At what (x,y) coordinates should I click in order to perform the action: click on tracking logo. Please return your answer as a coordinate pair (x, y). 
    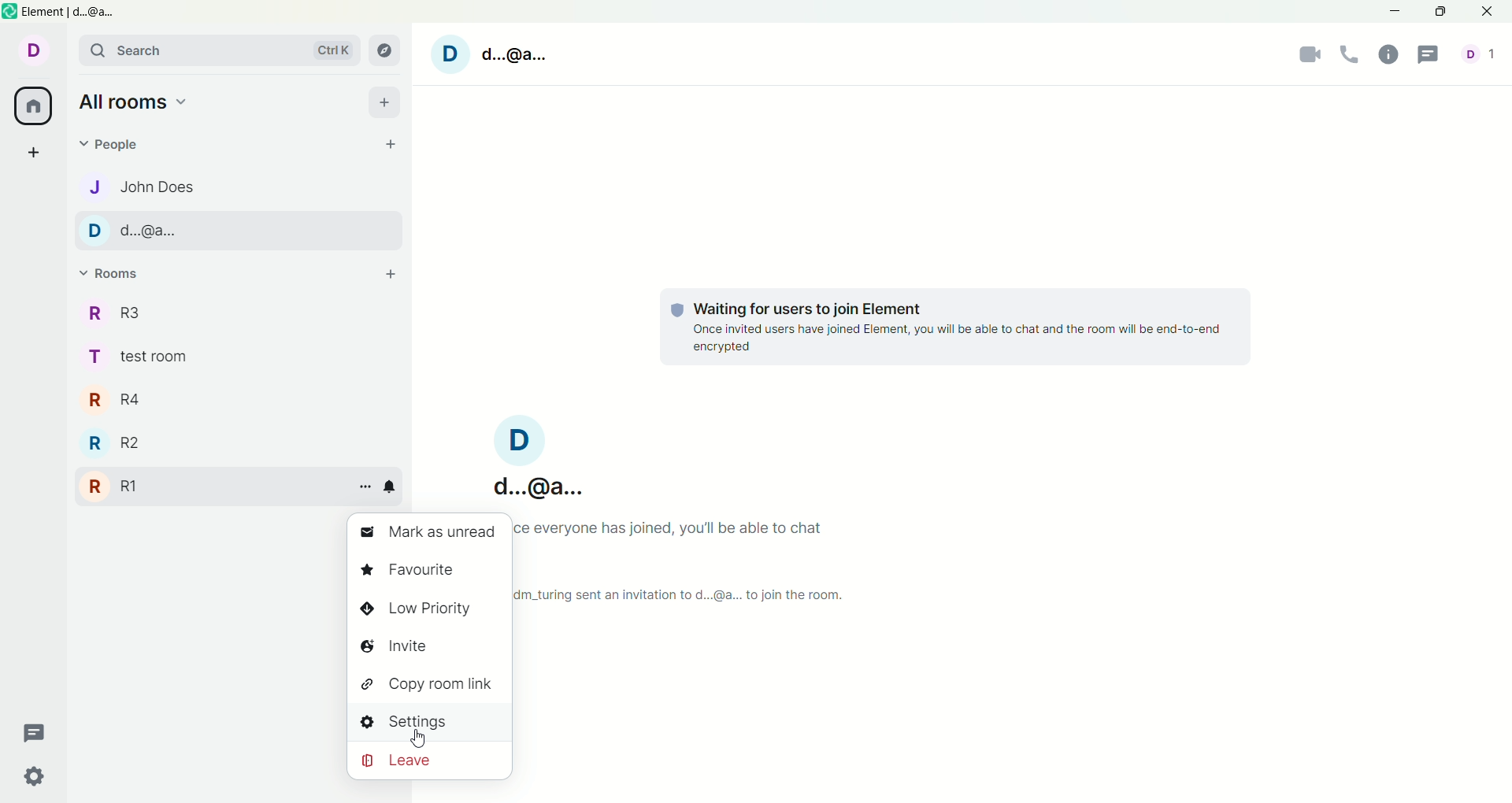
    Looking at the image, I should click on (673, 308).